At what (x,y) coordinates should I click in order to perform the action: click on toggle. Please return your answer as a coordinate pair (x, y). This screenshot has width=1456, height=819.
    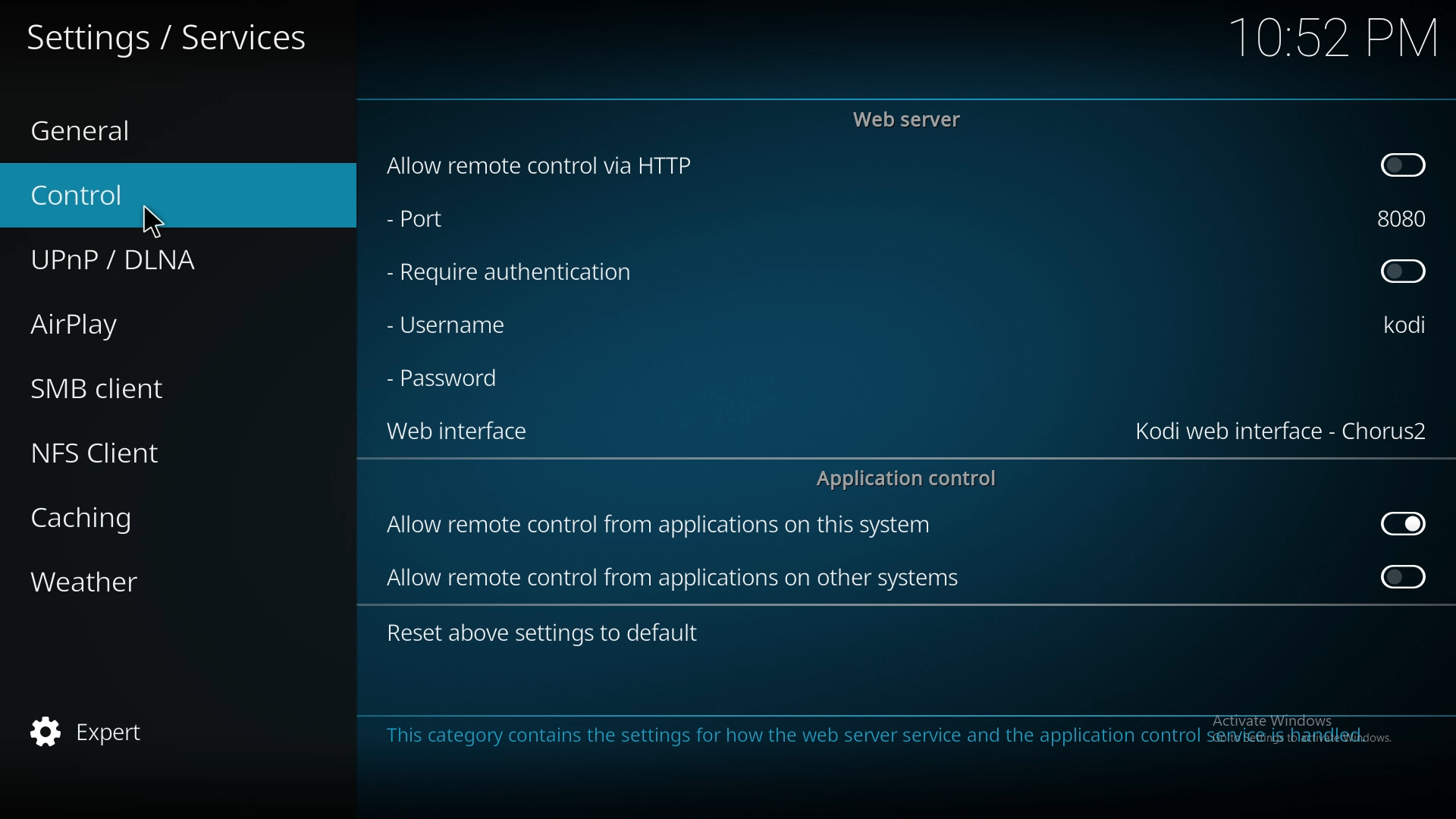
    Looking at the image, I should click on (1403, 273).